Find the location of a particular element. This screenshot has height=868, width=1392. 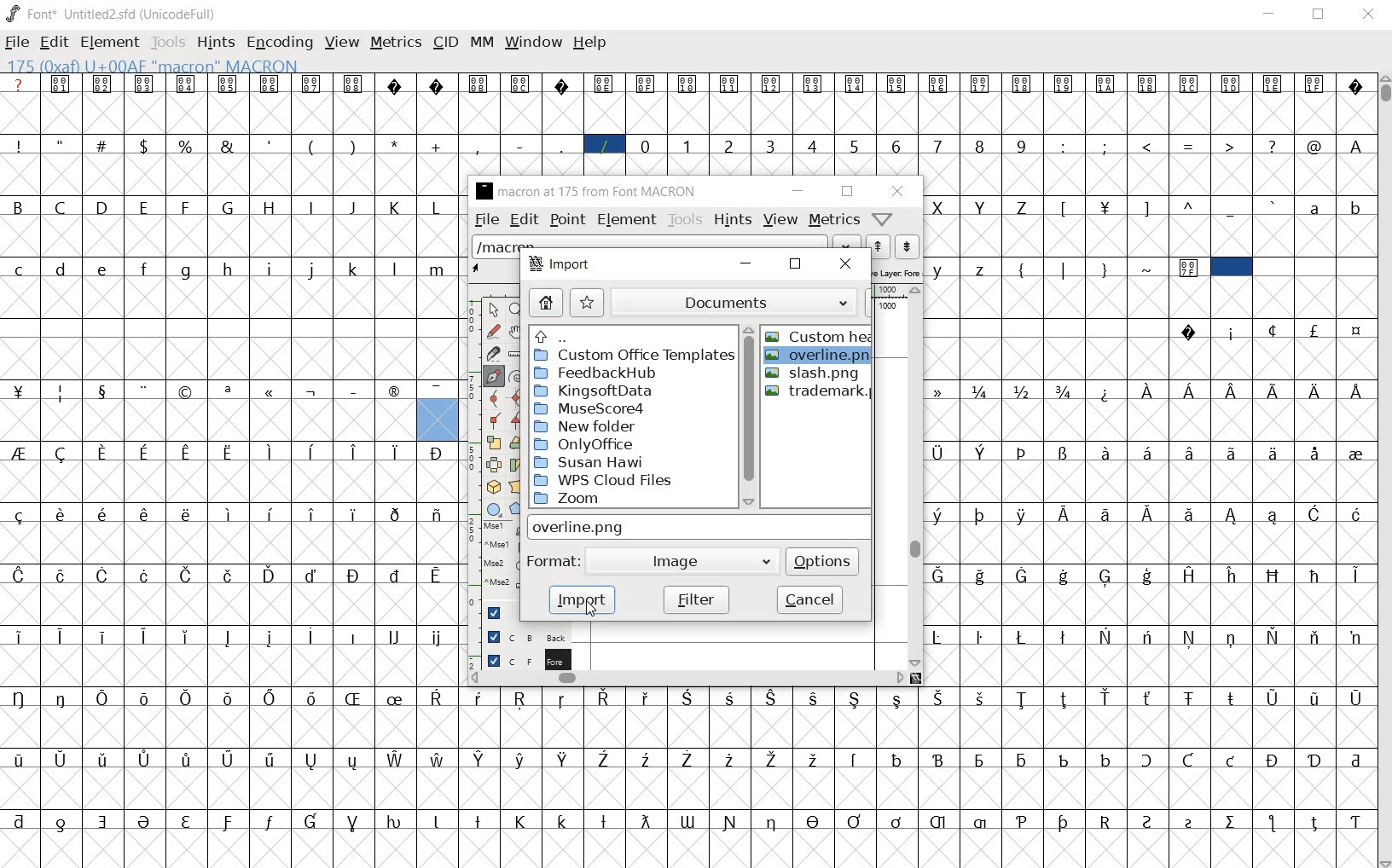

Symbol is located at coordinates (312, 84).